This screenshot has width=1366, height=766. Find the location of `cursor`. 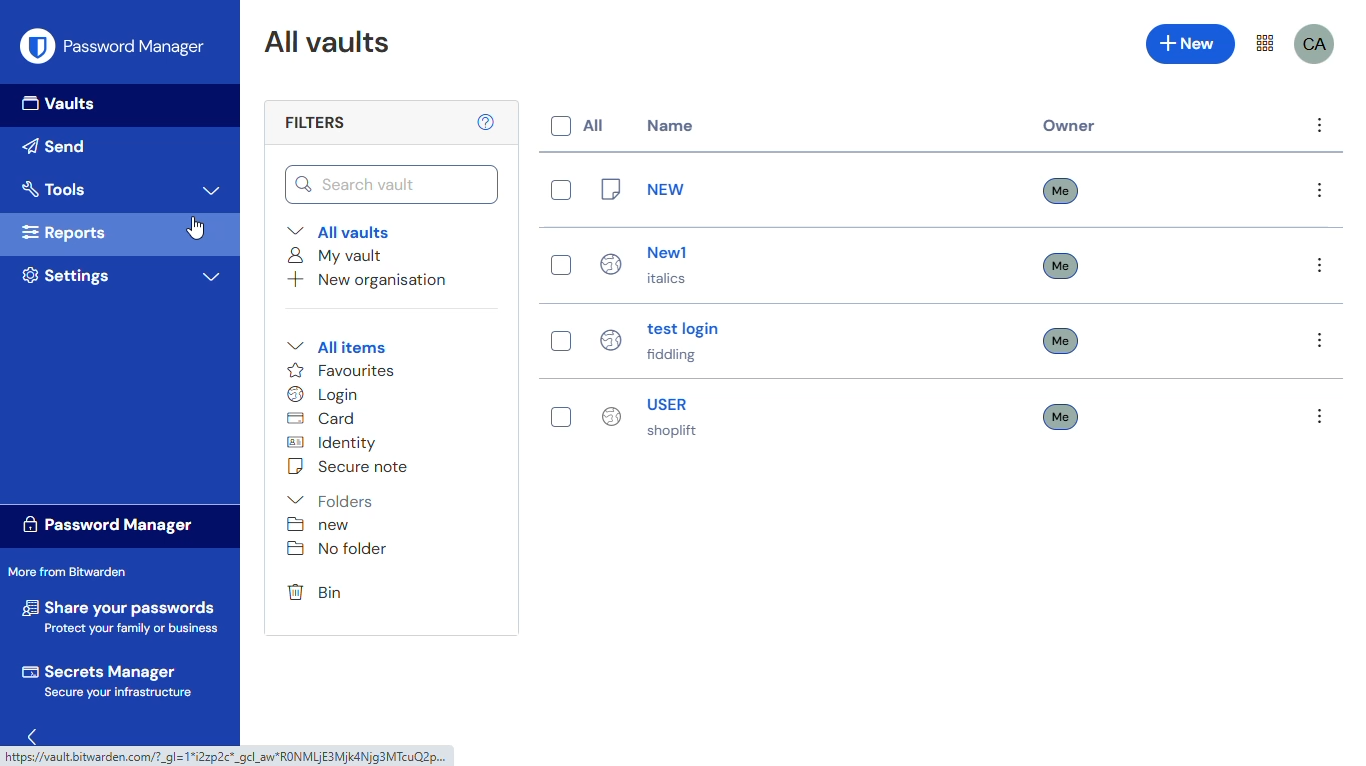

cursor is located at coordinates (196, 228).